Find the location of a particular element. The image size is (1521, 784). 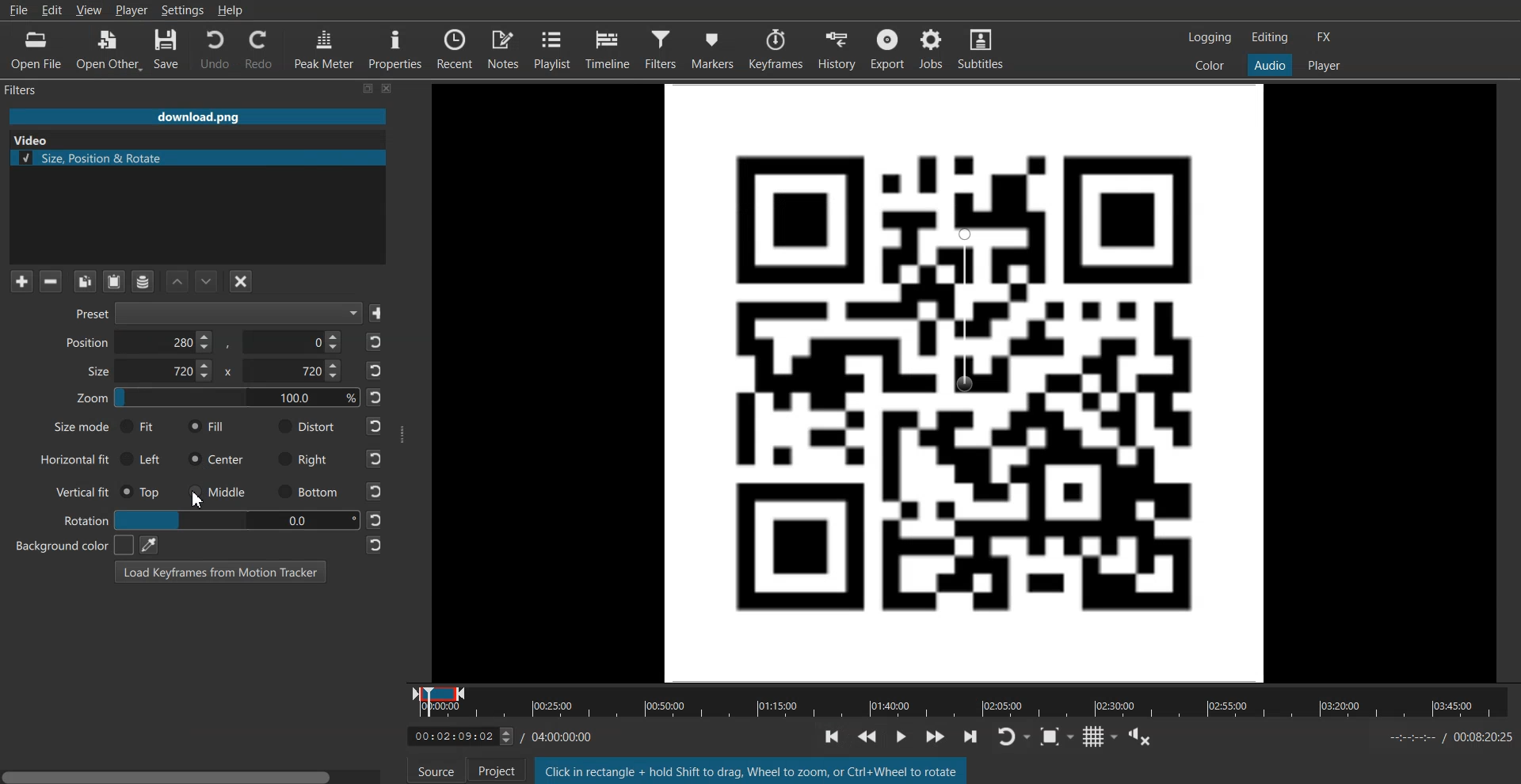

Bottom is located at coordinates (307, 493).